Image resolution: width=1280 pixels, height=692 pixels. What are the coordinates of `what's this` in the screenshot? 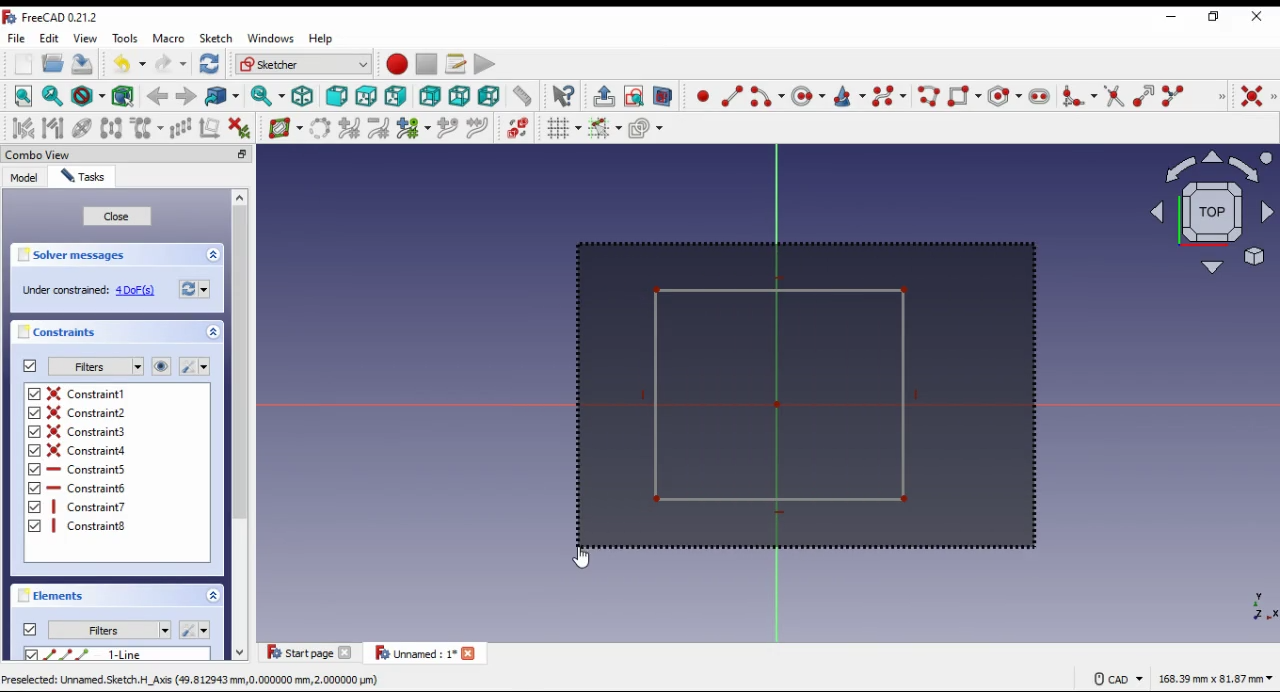 It's located at (563, 96).